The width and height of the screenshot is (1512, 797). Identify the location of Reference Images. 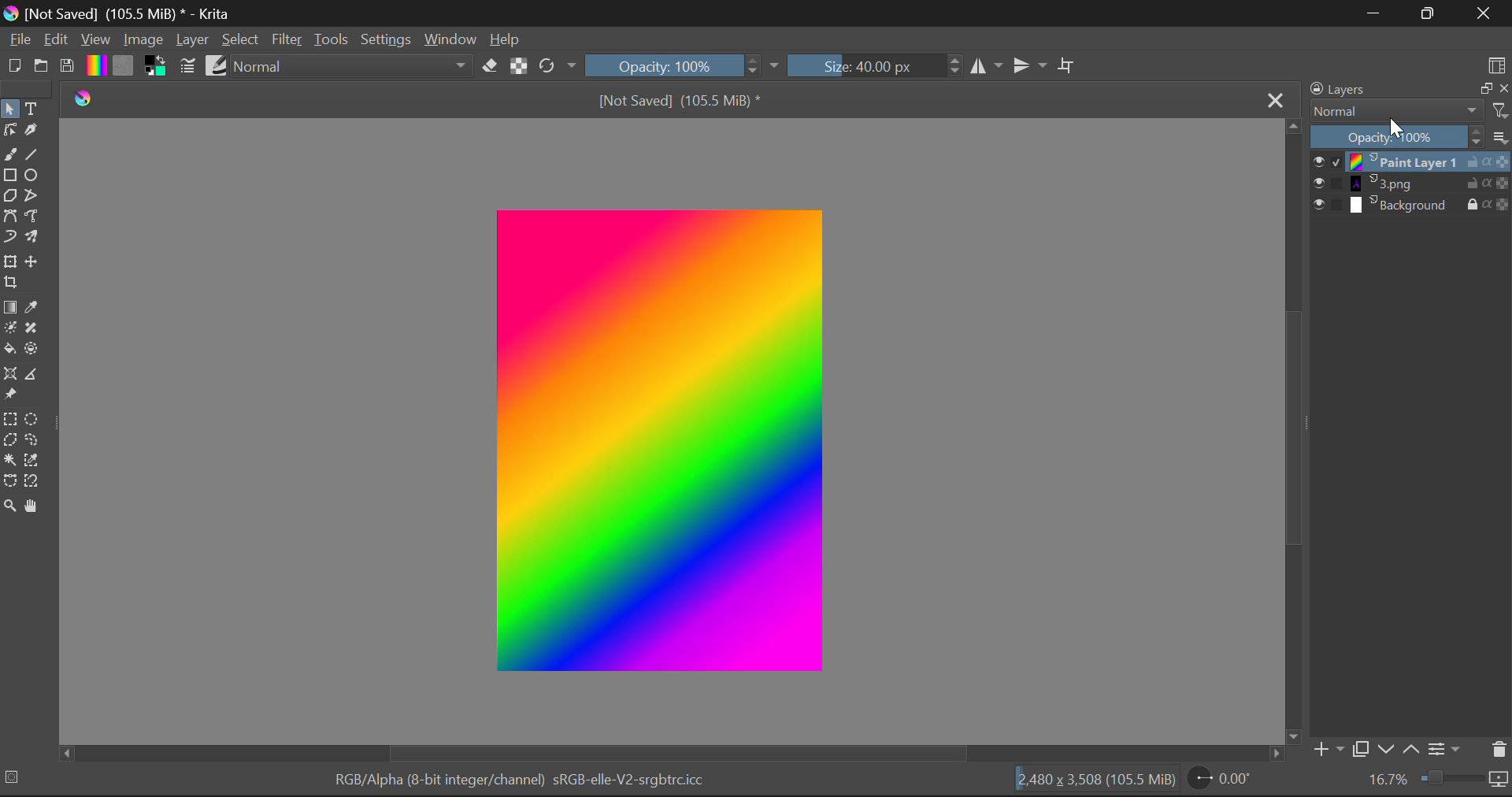
(10, 396).